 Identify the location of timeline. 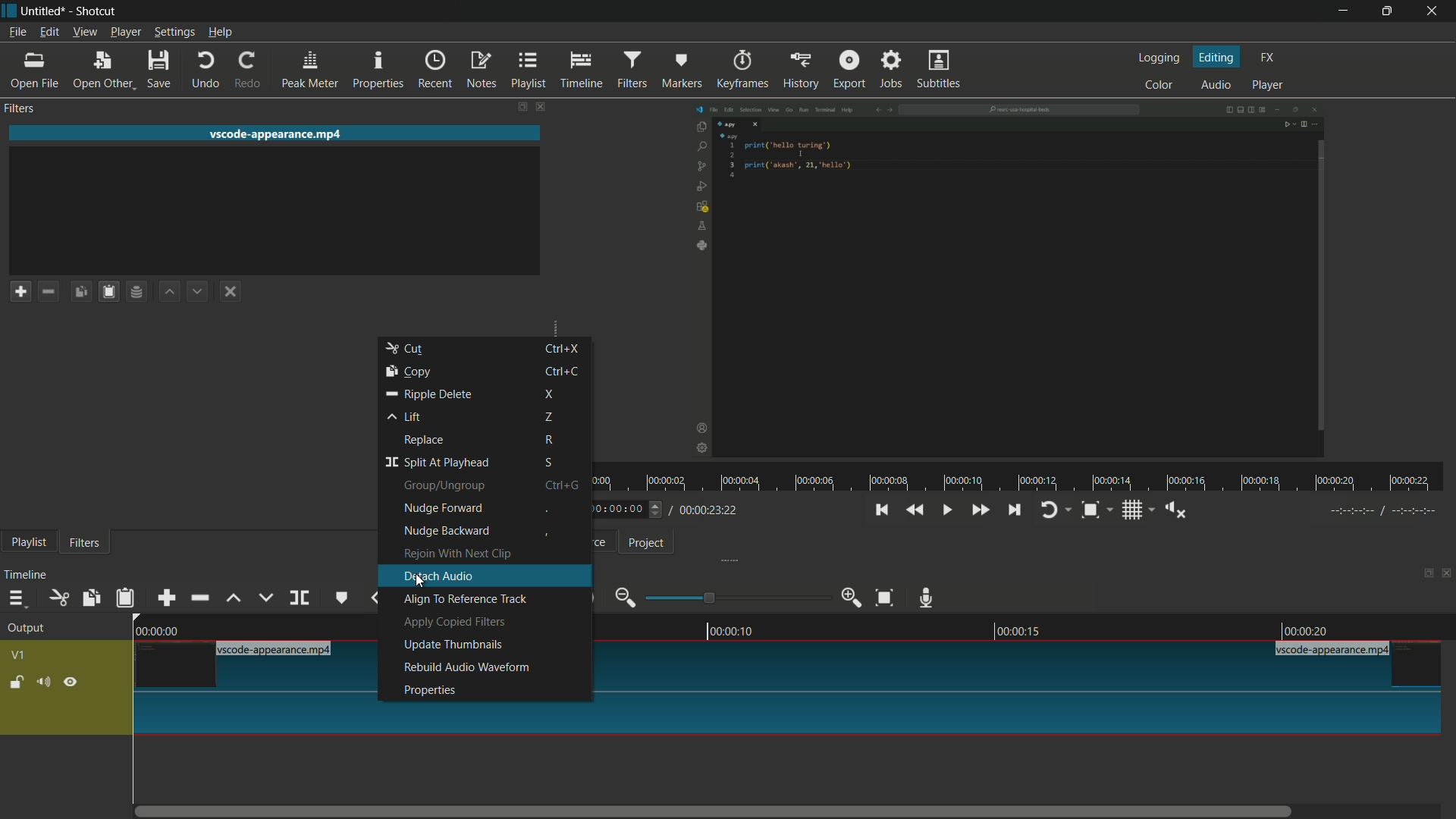
(579, 69).